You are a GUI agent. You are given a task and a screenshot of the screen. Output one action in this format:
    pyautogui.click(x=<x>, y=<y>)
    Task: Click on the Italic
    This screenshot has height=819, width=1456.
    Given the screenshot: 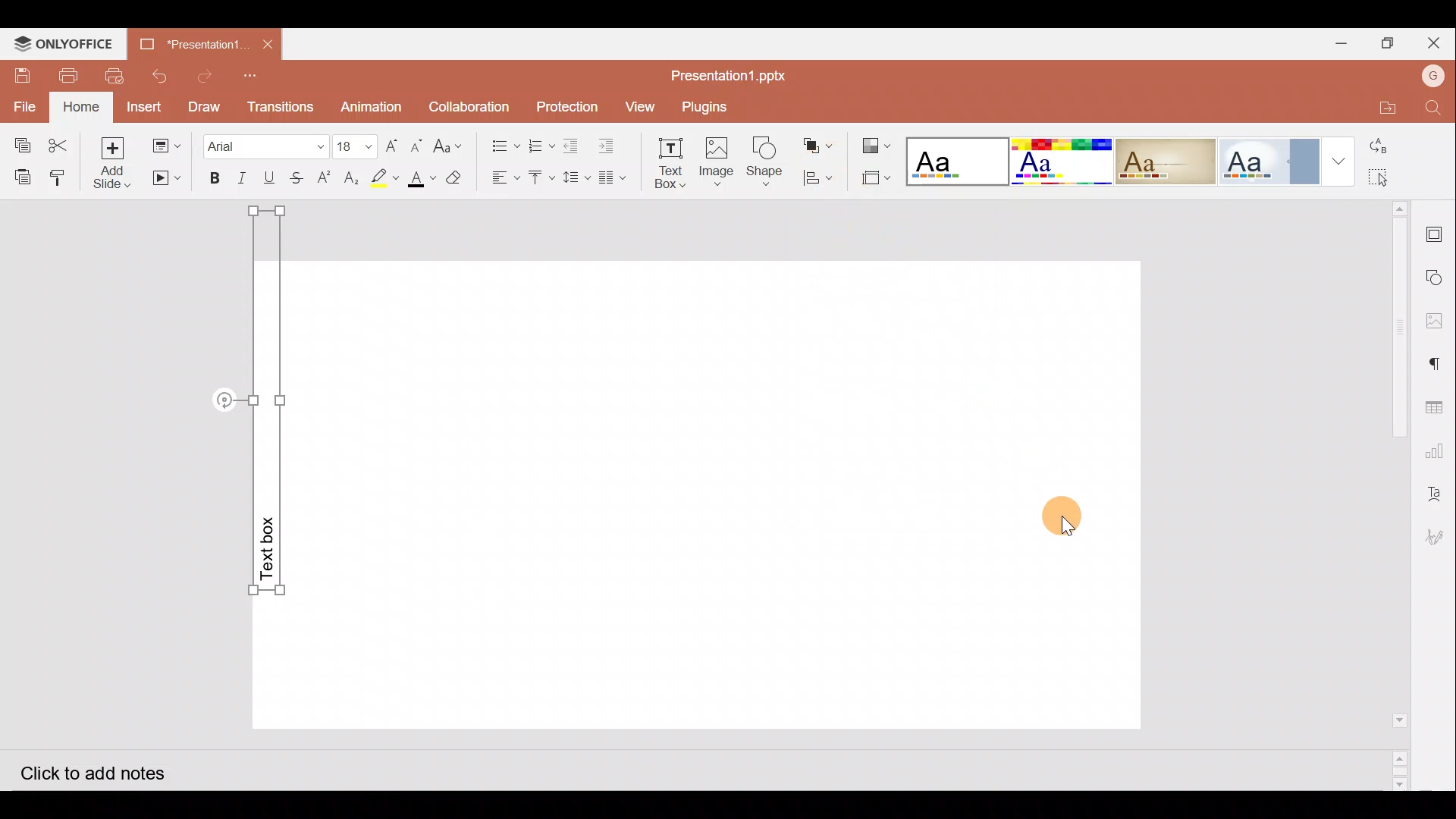 What is the action you would take?
    pyautogui.click(x=241, y=178)
    